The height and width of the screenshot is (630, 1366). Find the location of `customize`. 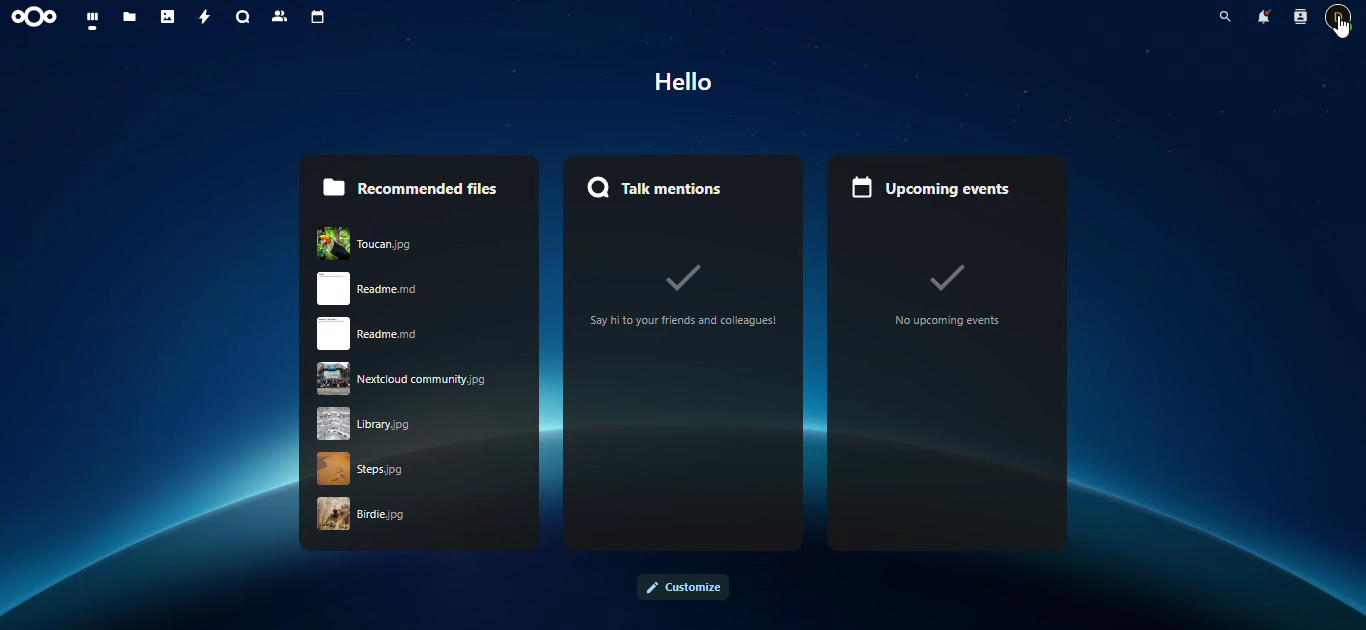

customize is located at coordinates (682, 588).